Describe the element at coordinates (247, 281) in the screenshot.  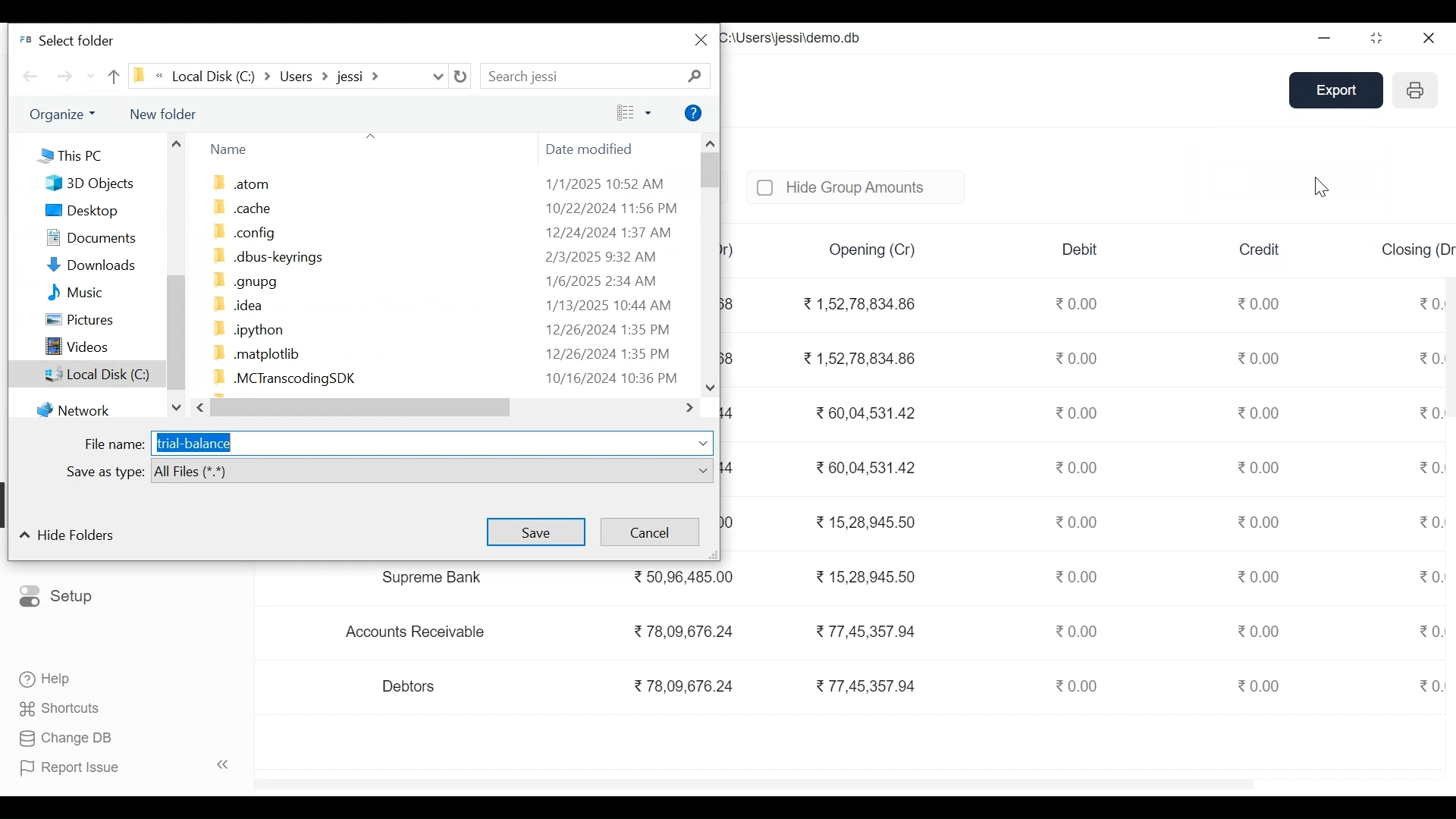
I see `gnupg` at that location.